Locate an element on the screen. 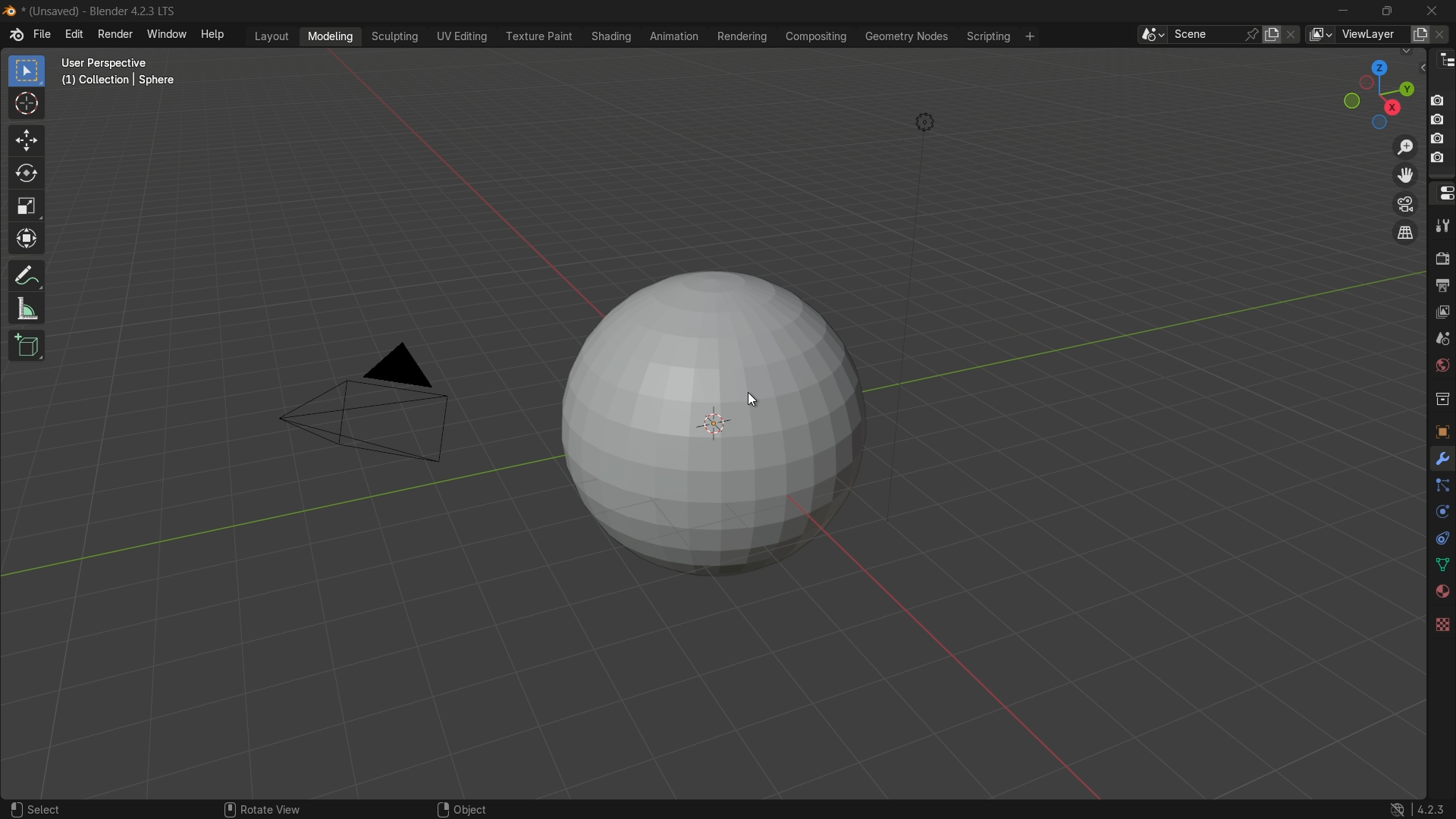 The width and height of the screenshot is (1456, 819). (unsaved) blender 4.2.3 LTS is located at coordinates (89, 12).